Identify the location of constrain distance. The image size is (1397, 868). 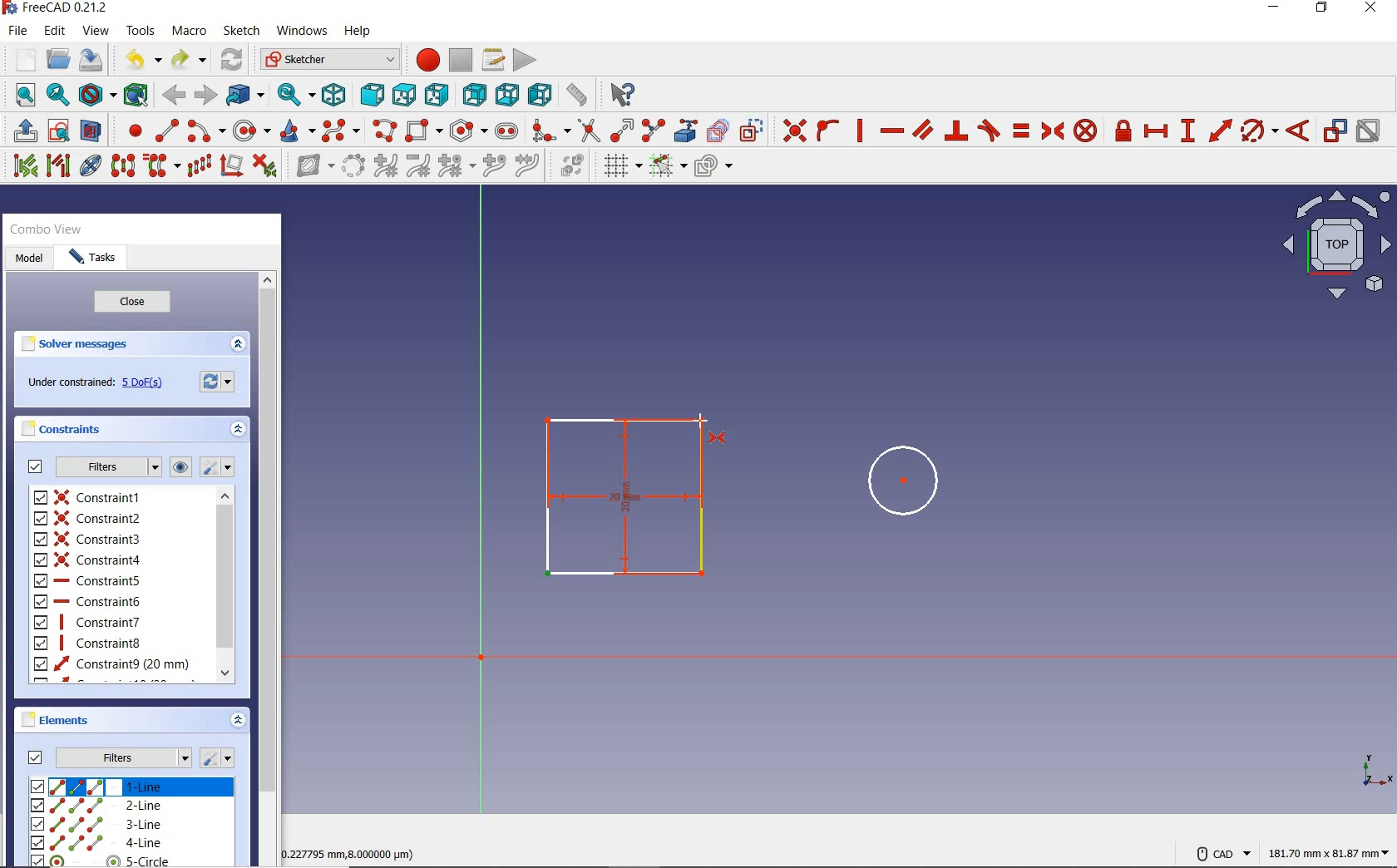
(1218, 131).